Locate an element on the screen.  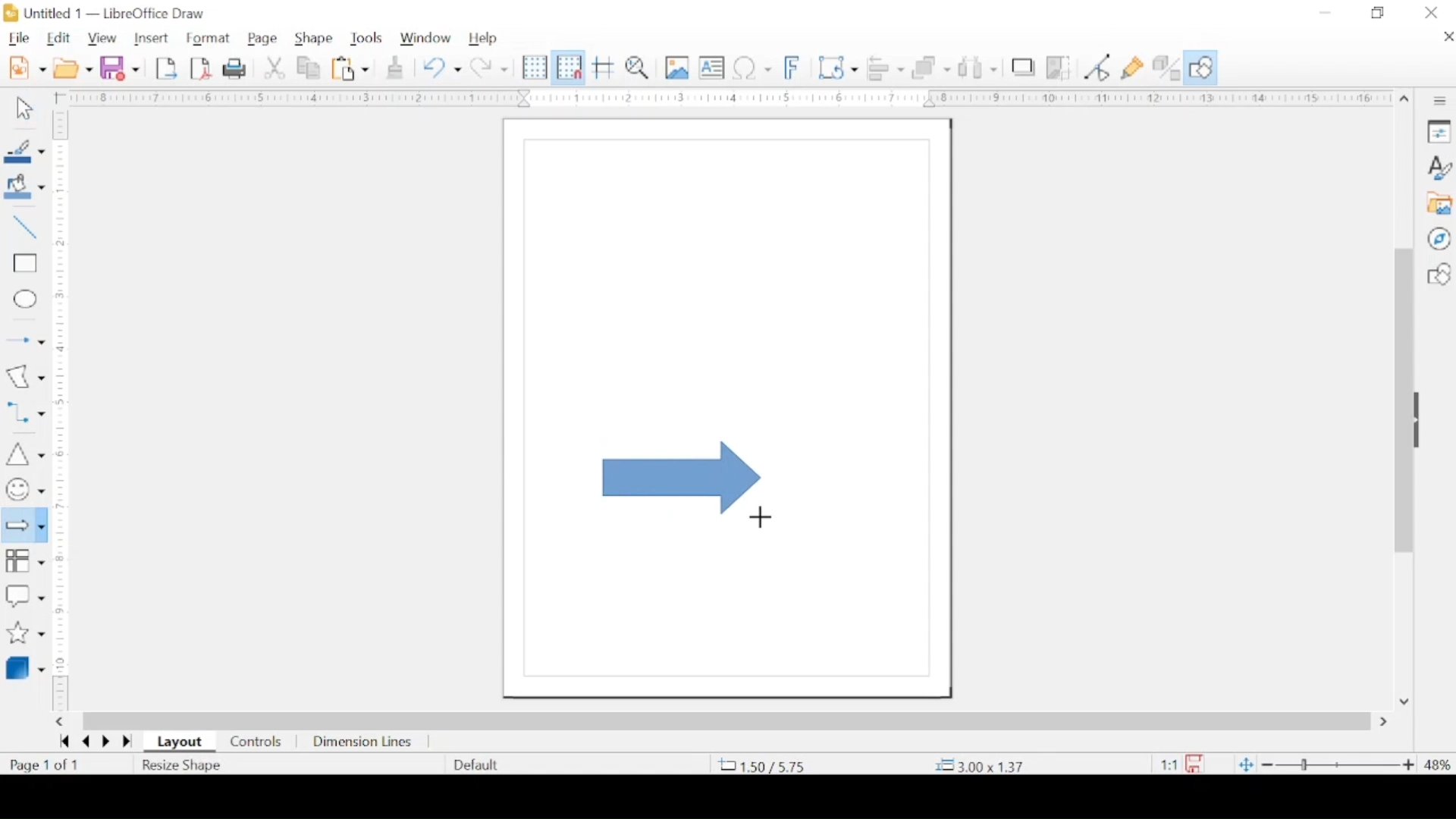
insert curves & polygons is located at coordinates (25, 376).